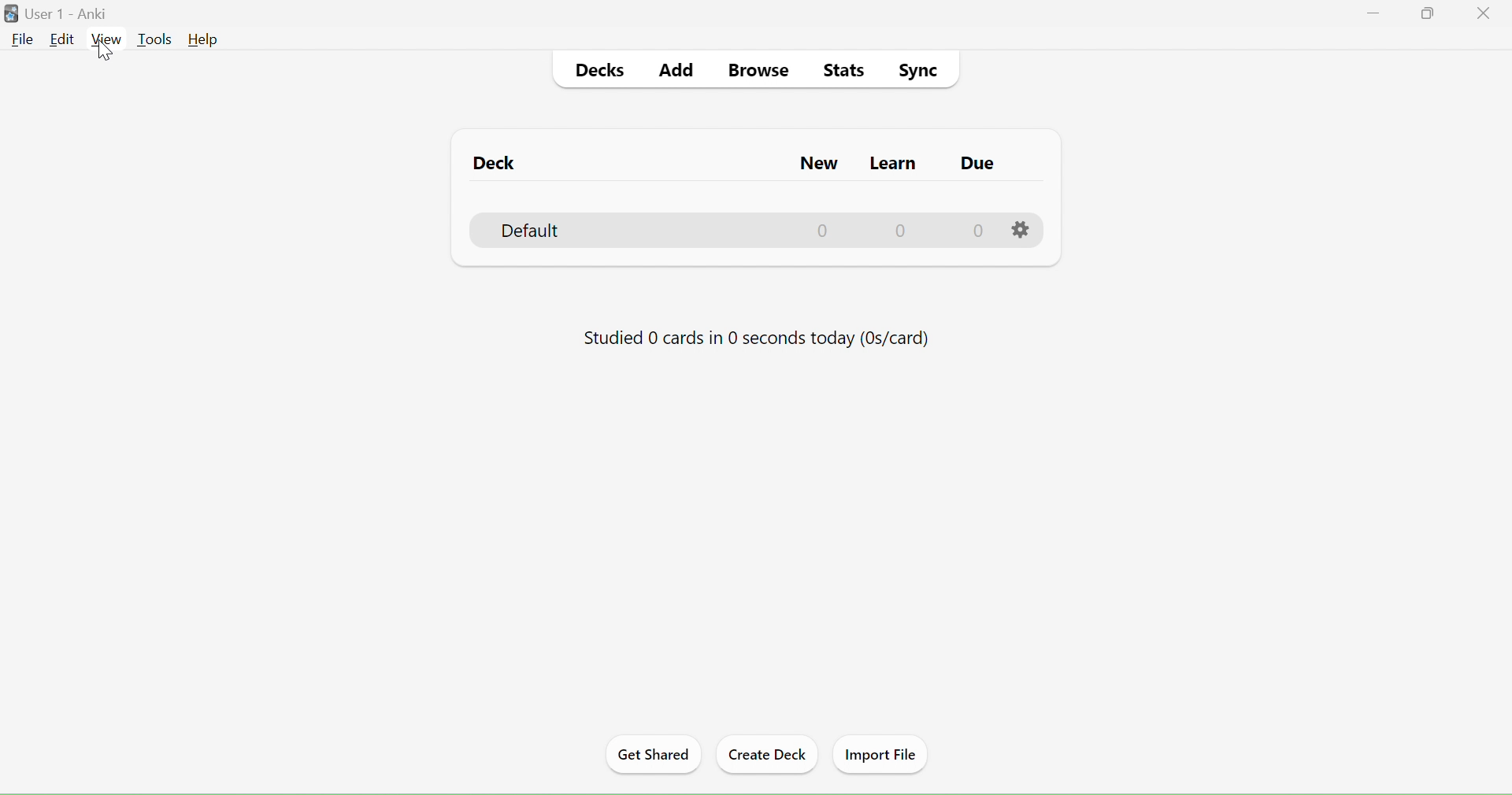 Image resolution: width=1512 pixels, height=795 pixels. I want to click on default, so click(543, 231).